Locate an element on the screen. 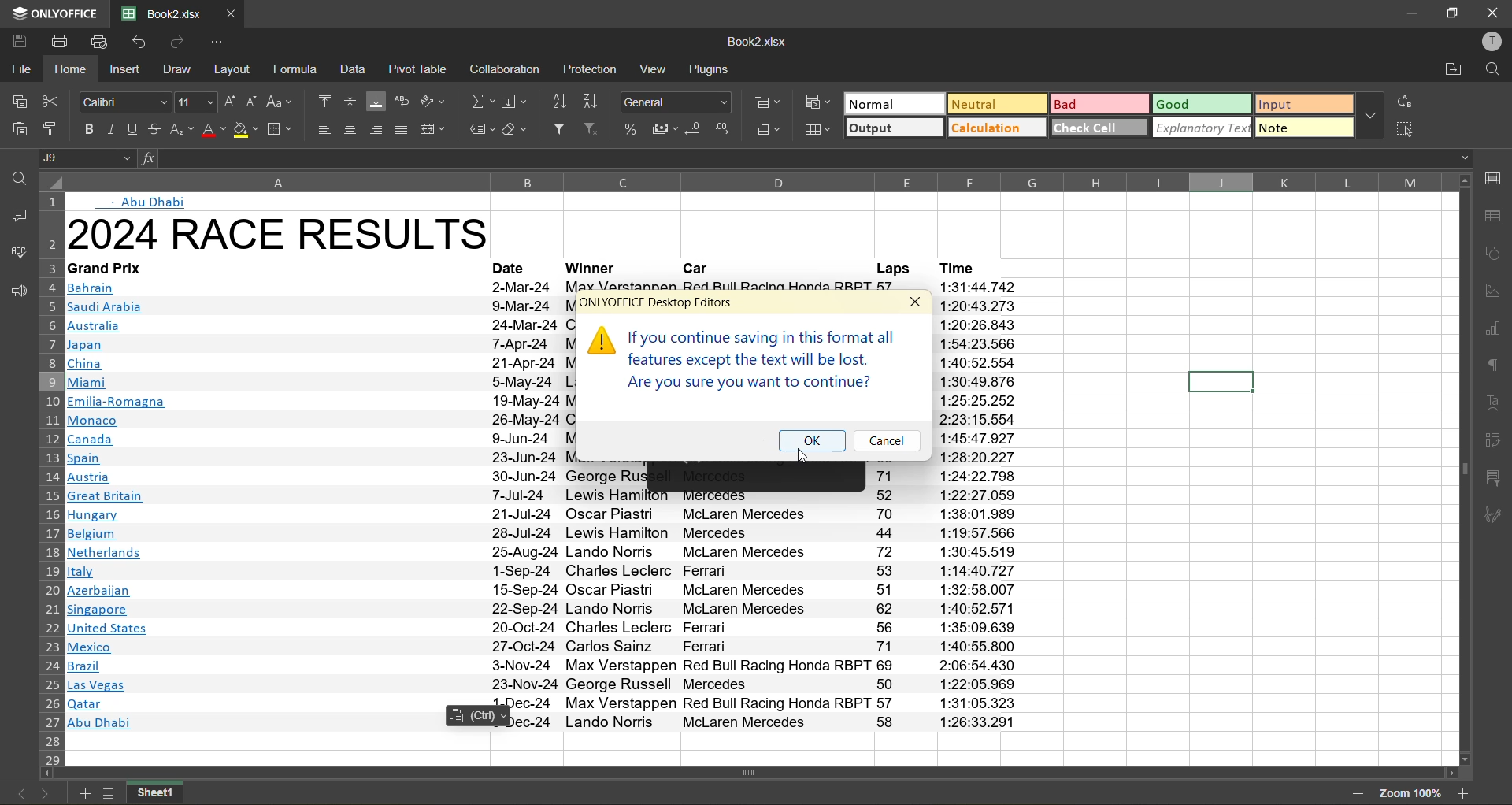 The height and width of the screenshot is (805, 1512). undo is located at coordinates (140, 41).